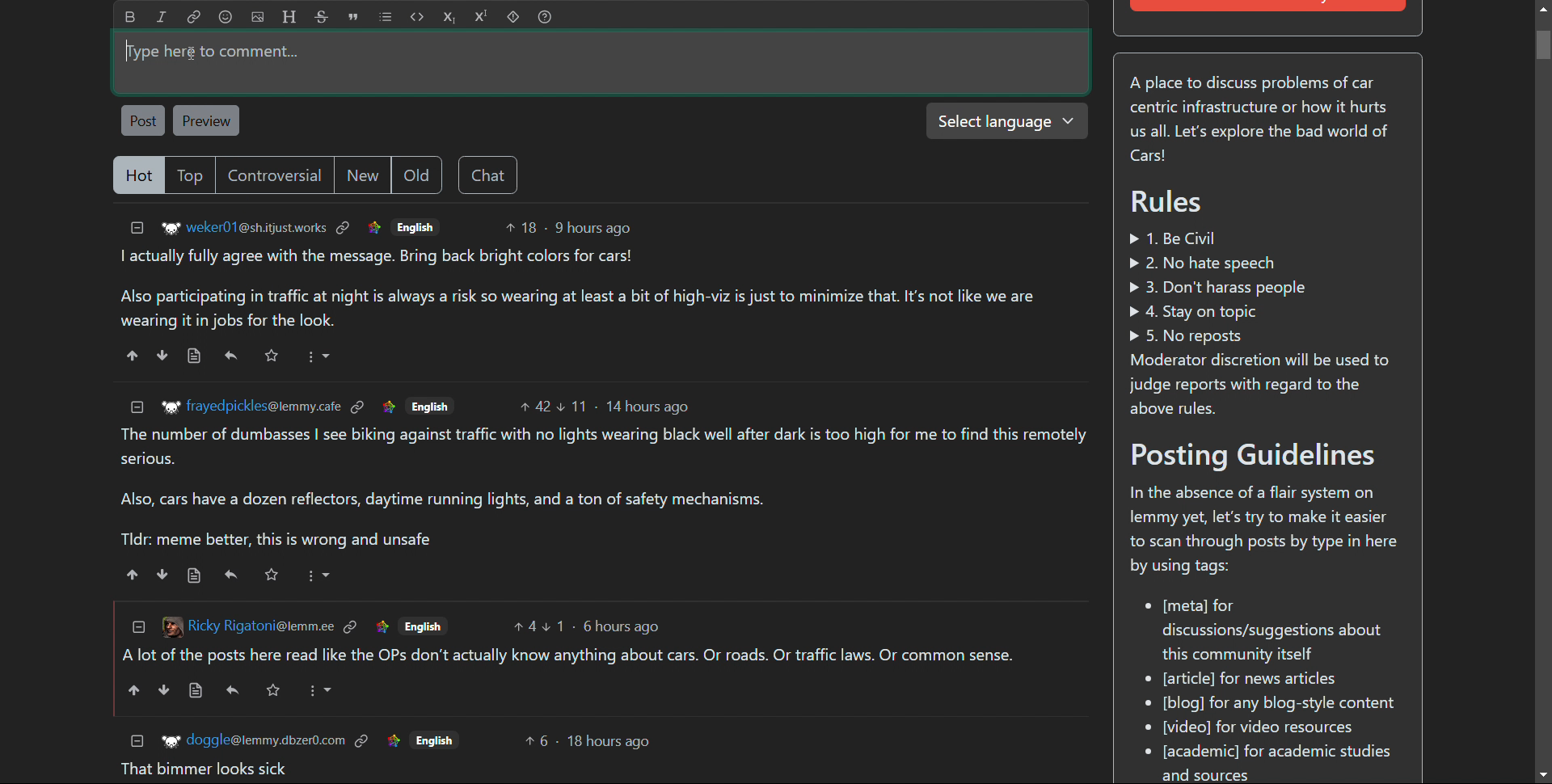 The width and height of the screenshot is (1552, 784). Describe the element at coordinates (647, 407) in the screenshot. I see `14 hours ago` at that location.